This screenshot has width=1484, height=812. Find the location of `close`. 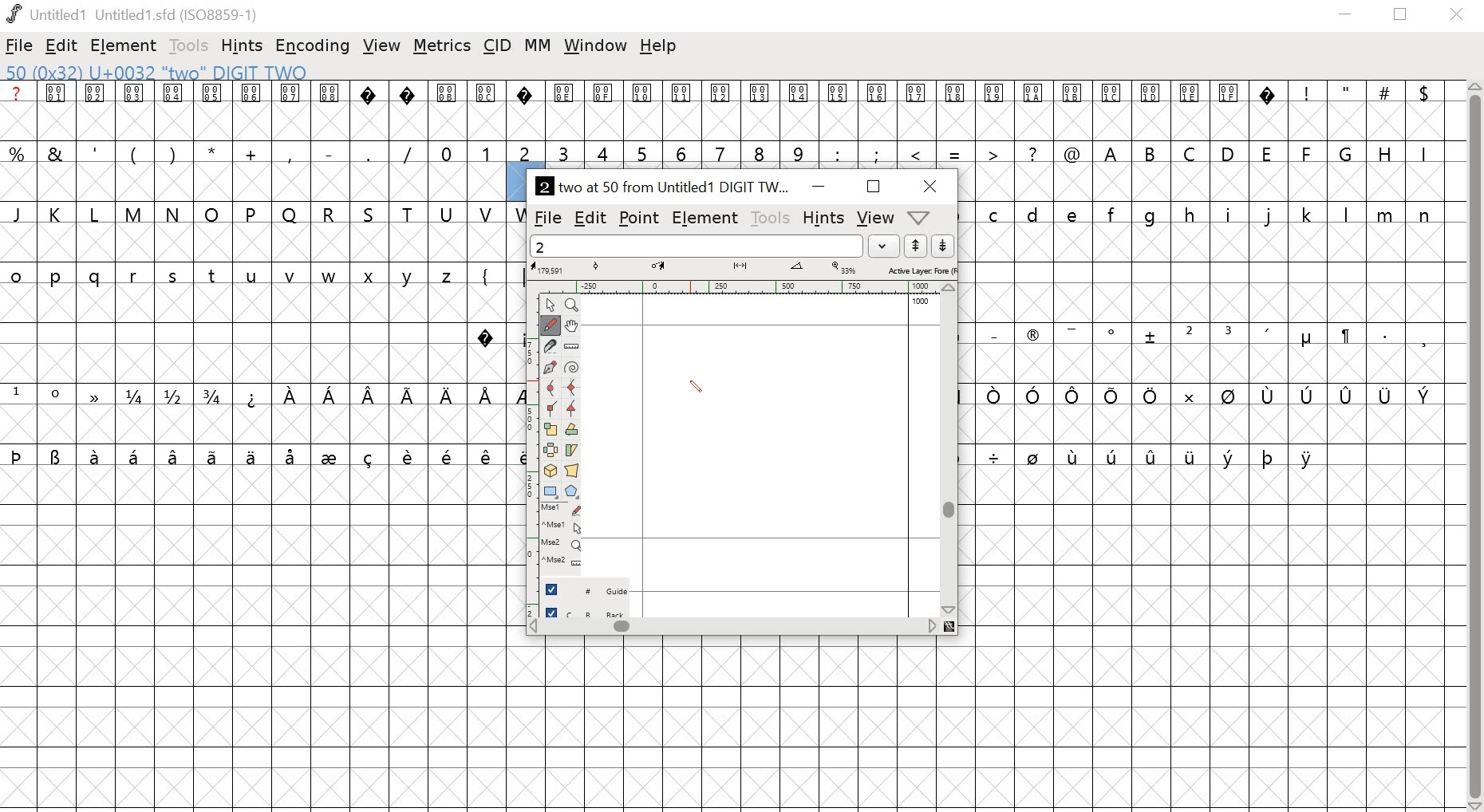

close is located at coordinates (930, 186).